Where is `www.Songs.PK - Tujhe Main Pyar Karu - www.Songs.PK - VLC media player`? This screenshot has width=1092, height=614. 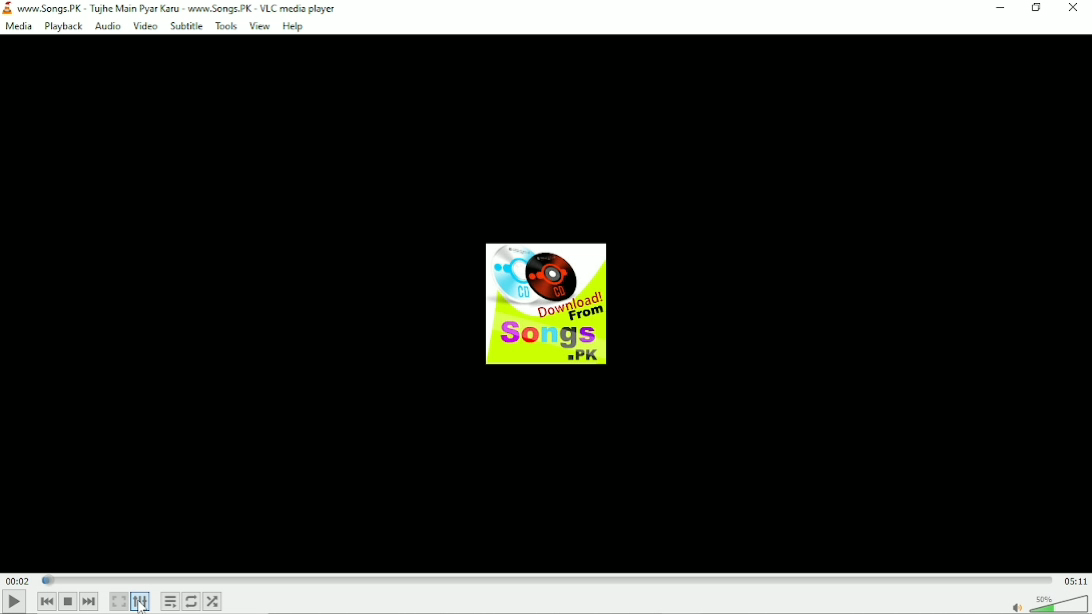
www.Songs.PK - Tujhe Main Pyar Karu - www.Songs.PK - VLC media player is located at coordinates (171, 8).